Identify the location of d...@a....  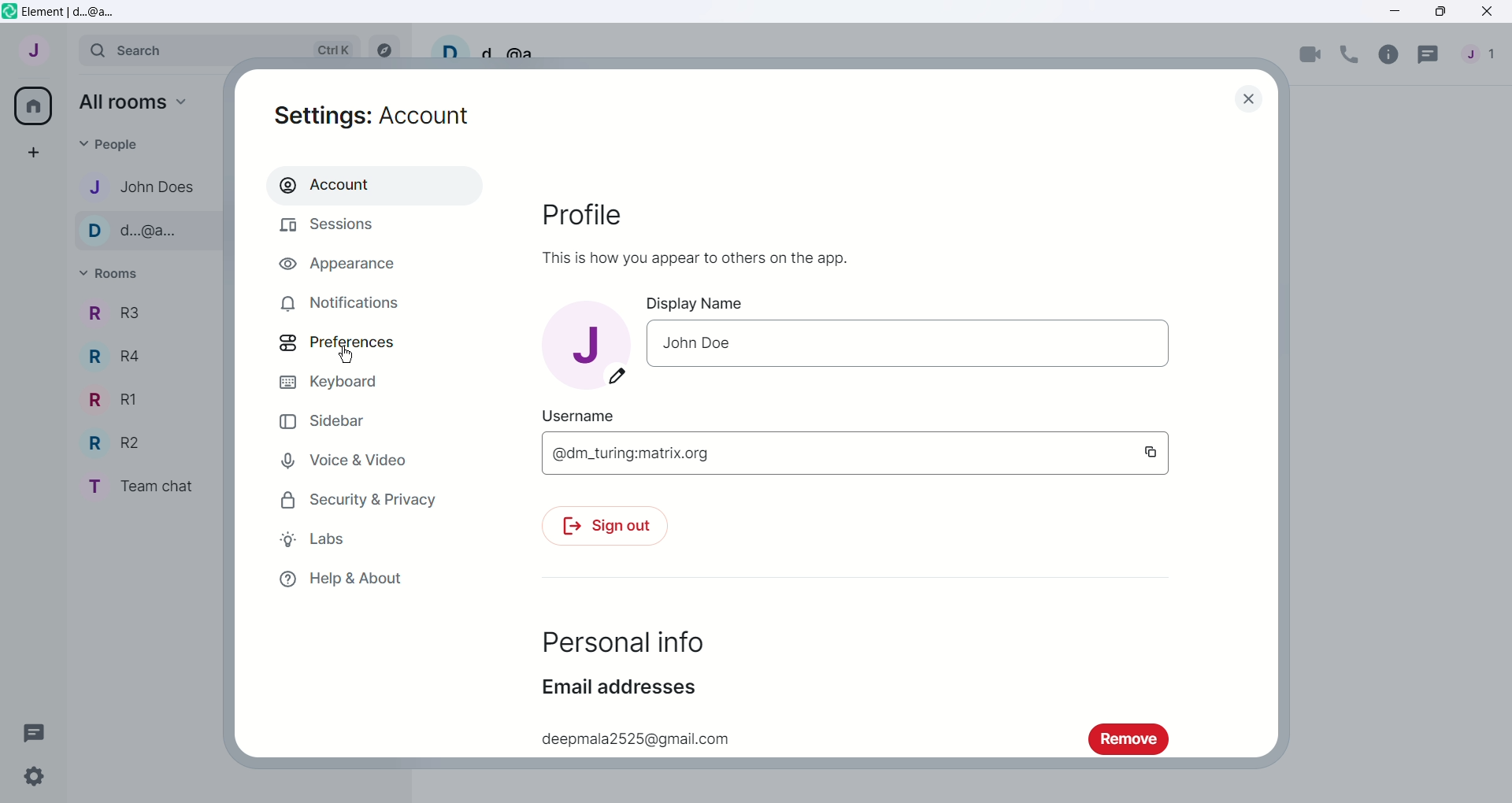
(521, 50).